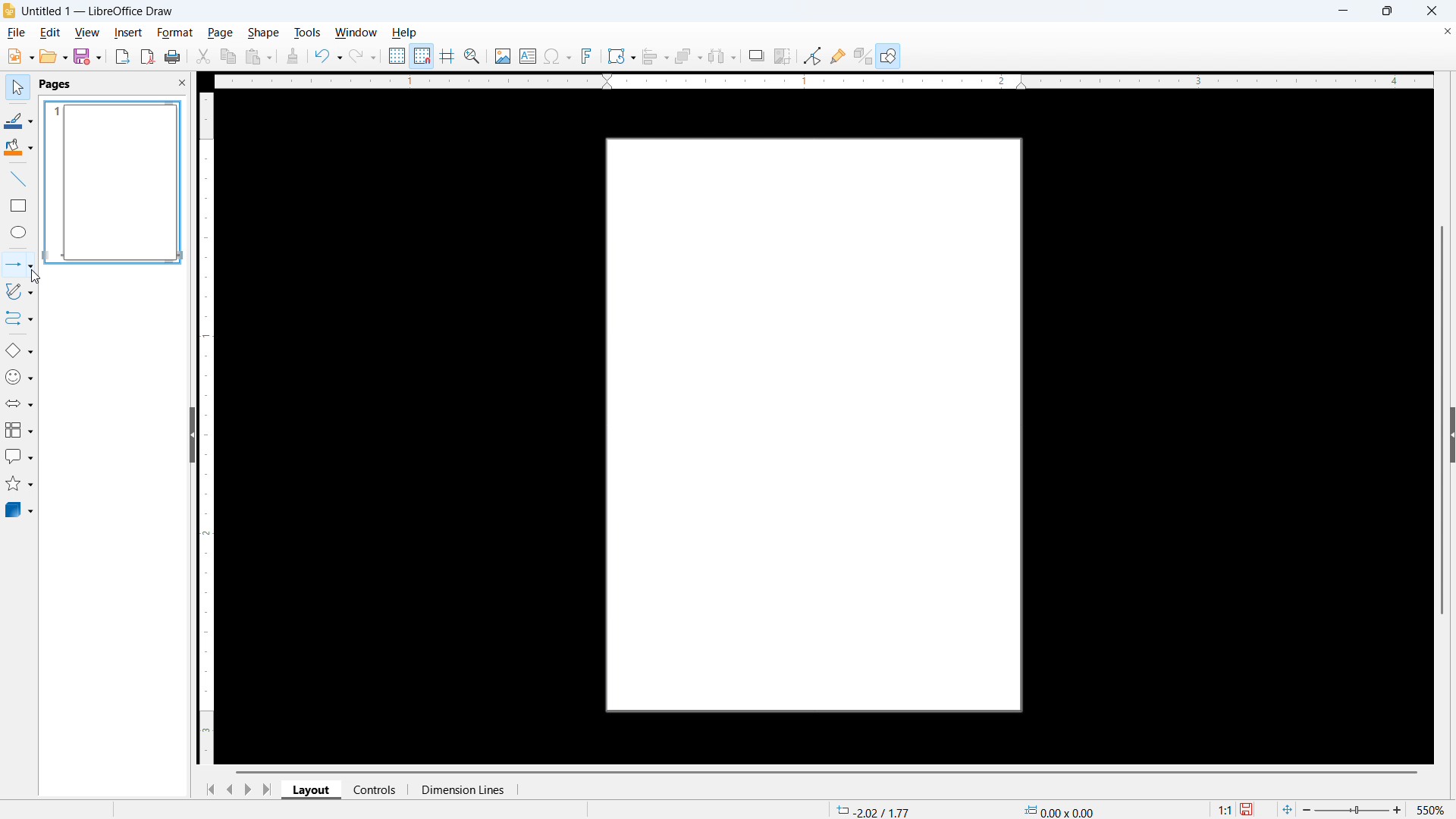 The height and width of the screenshot is (819, 1456). I want to click on Toggle point edit mode , so click(813, 55).